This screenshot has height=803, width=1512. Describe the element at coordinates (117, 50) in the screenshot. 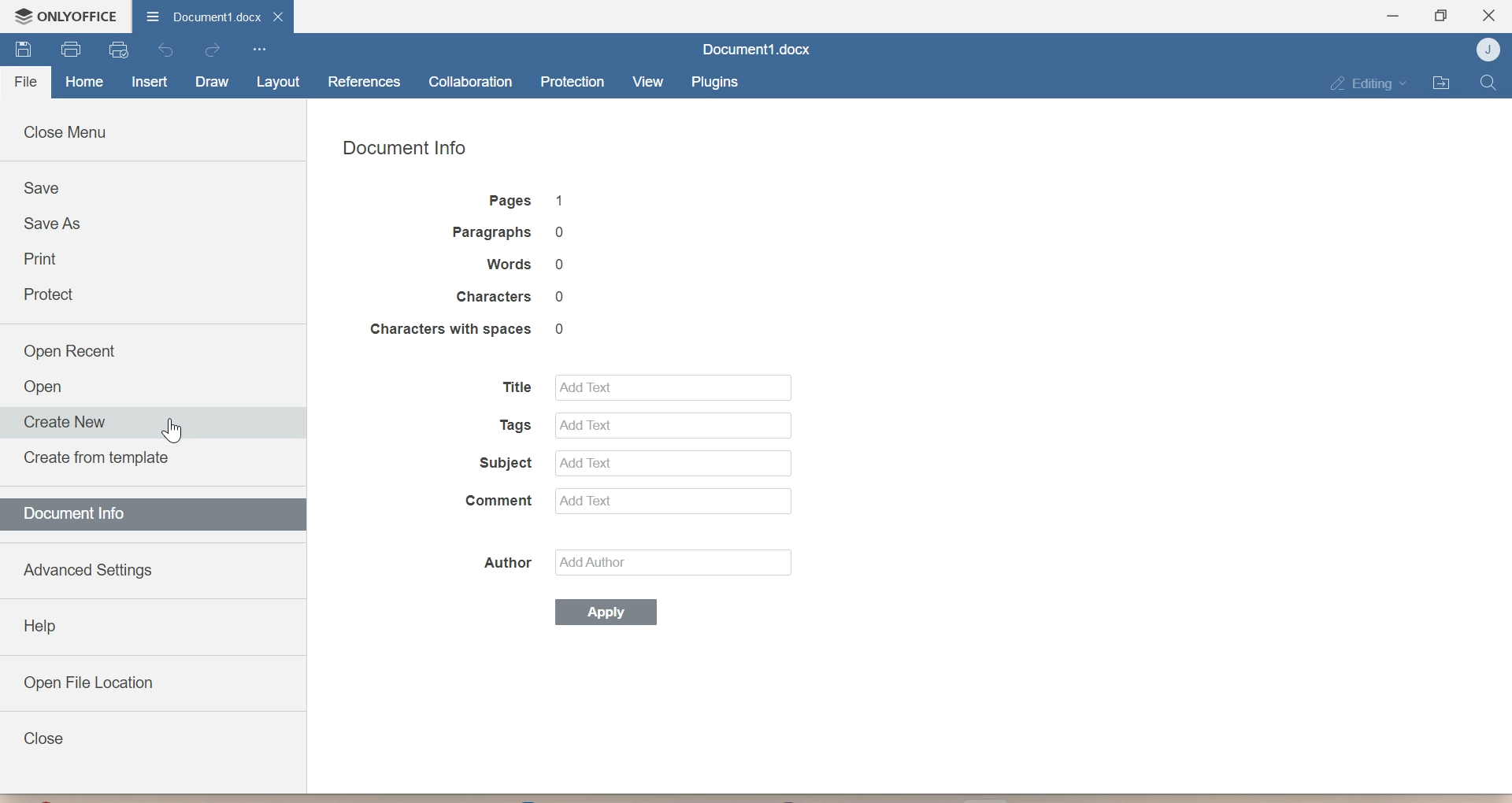

I see `Quick print` at that location.